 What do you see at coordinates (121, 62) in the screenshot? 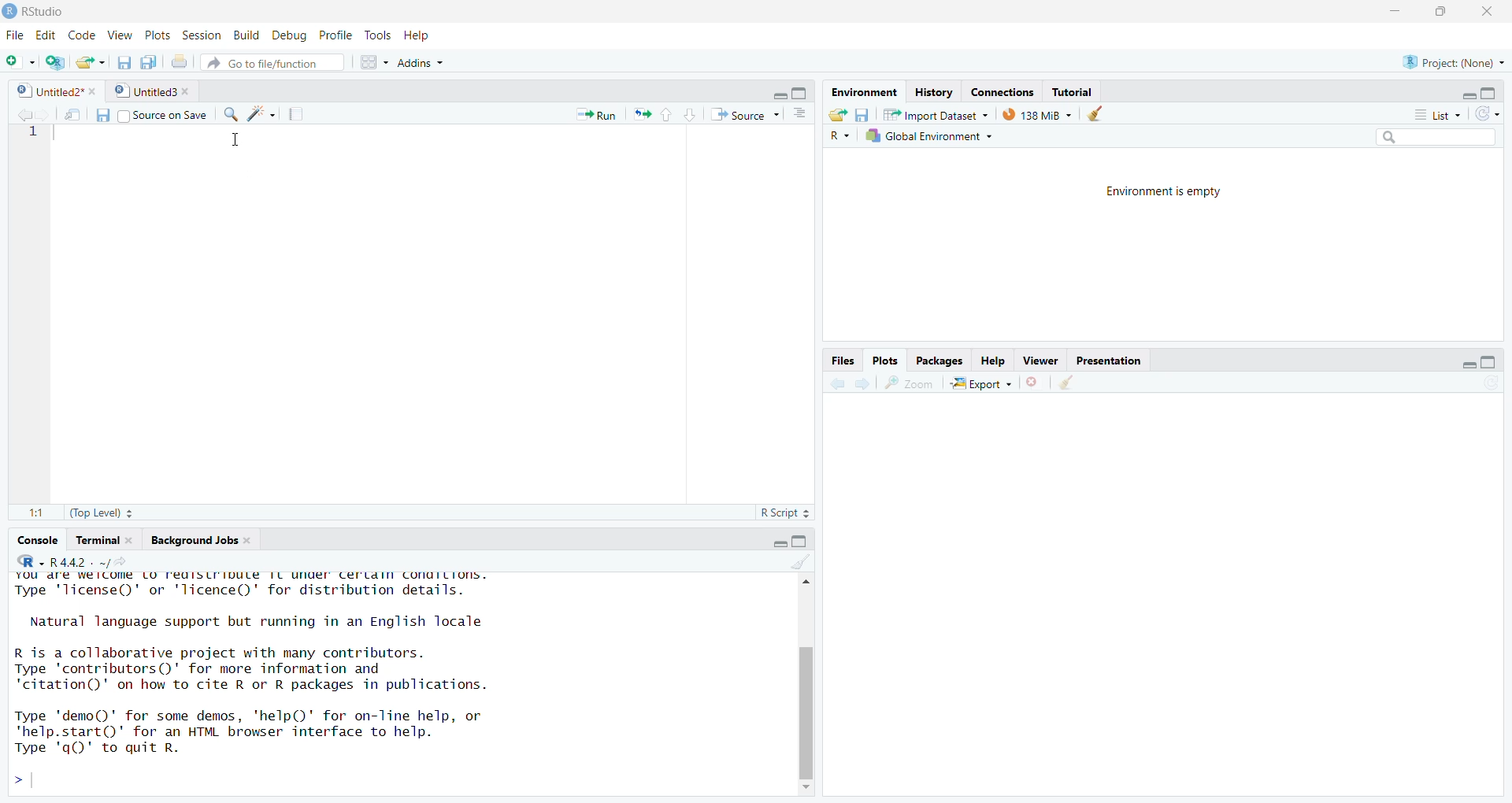
I see `Save current document` at bounding box center [121, 62].